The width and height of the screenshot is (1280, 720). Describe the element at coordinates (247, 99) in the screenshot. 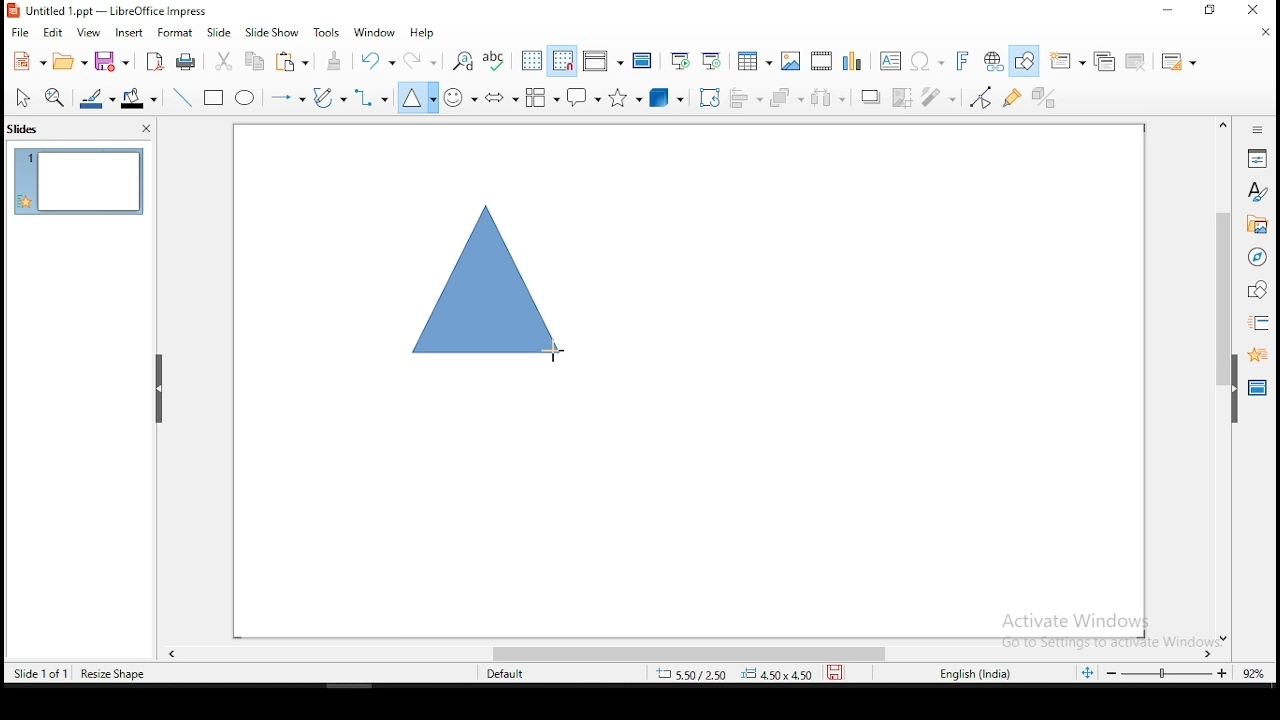

I see `ellipse` at that location.